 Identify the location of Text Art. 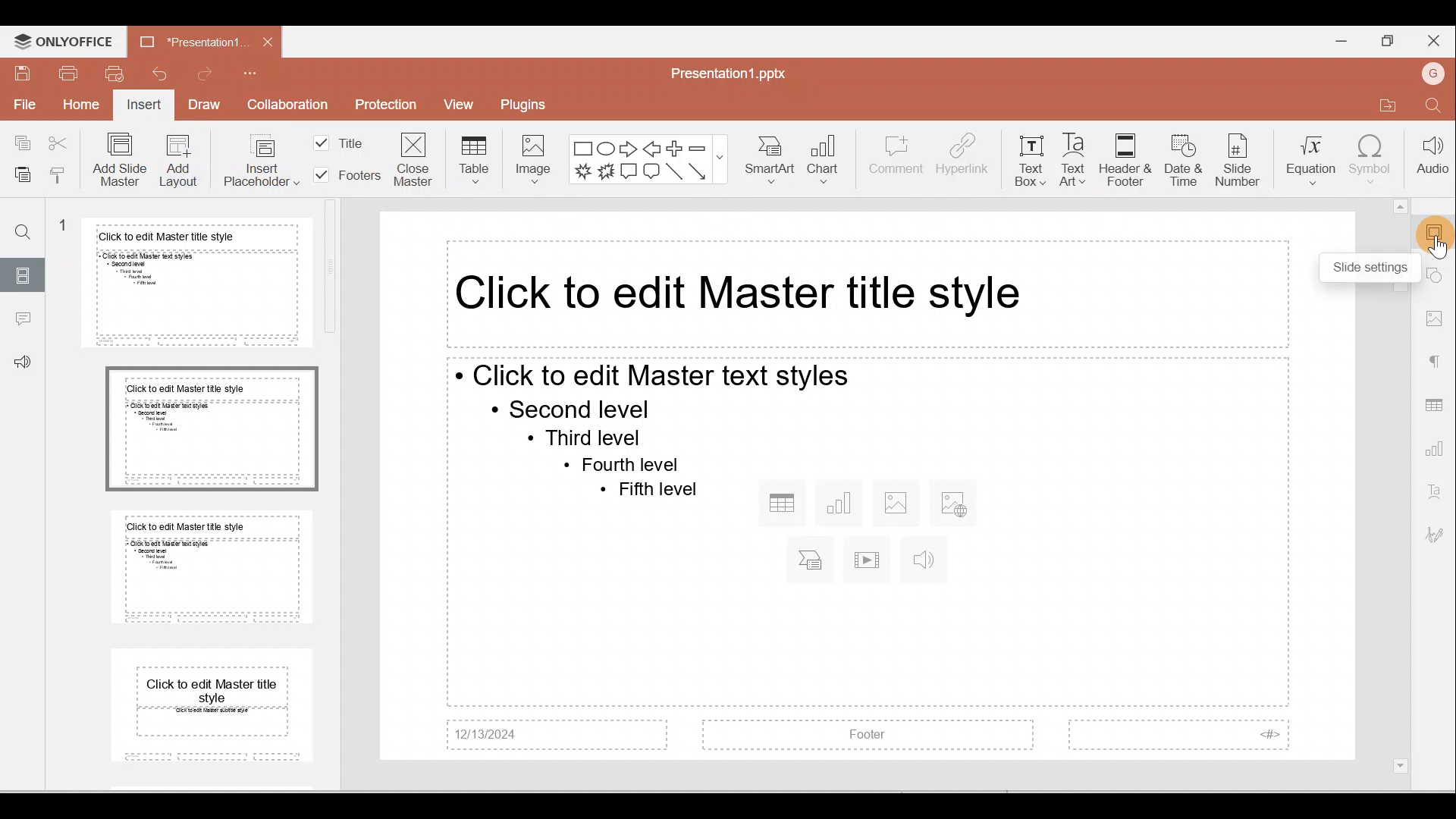
(1072, 160).